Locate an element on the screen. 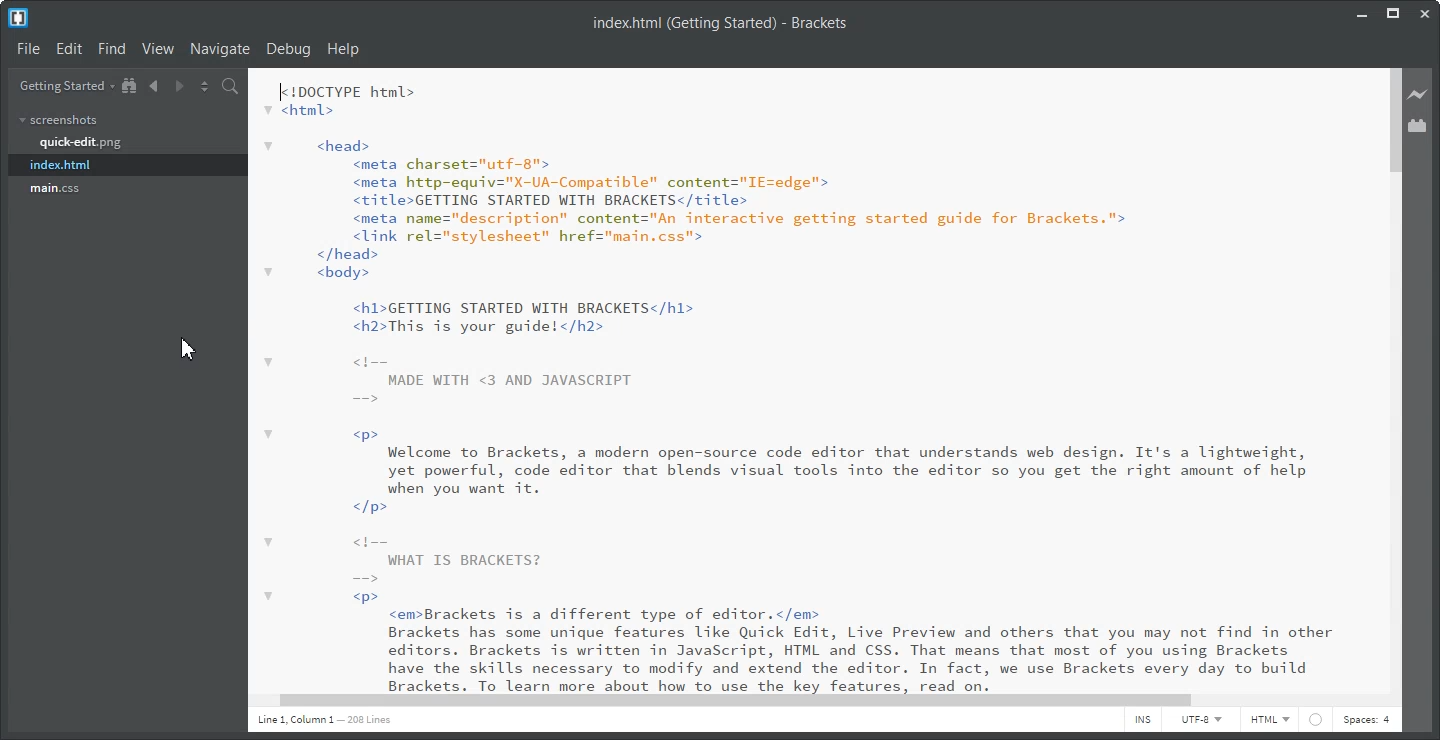 The image size is (1440, 740). INS is located at coordinates (1143, 721).